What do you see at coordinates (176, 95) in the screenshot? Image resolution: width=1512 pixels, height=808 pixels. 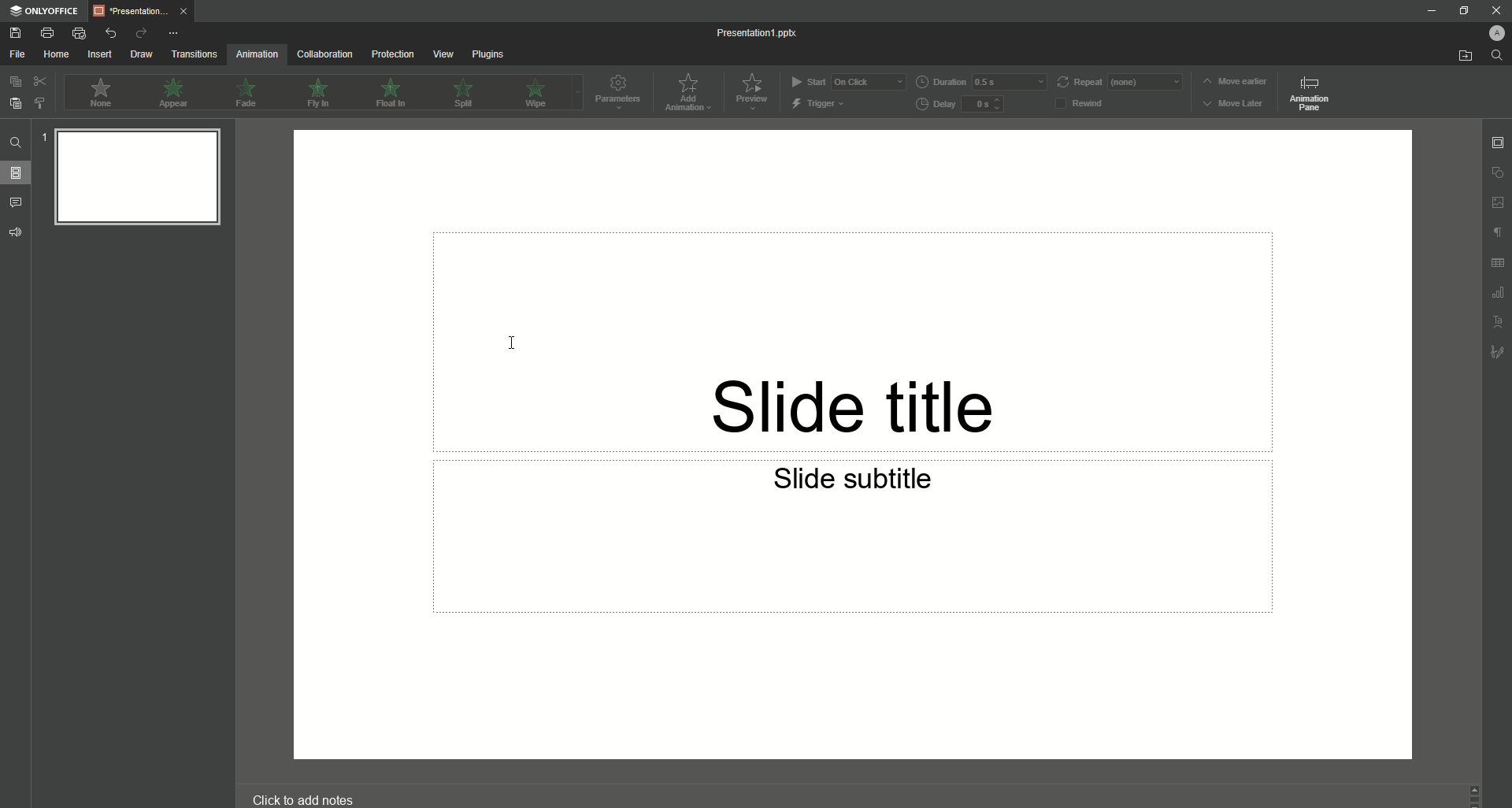 I see `Appear` at bounding box center [176, 95].